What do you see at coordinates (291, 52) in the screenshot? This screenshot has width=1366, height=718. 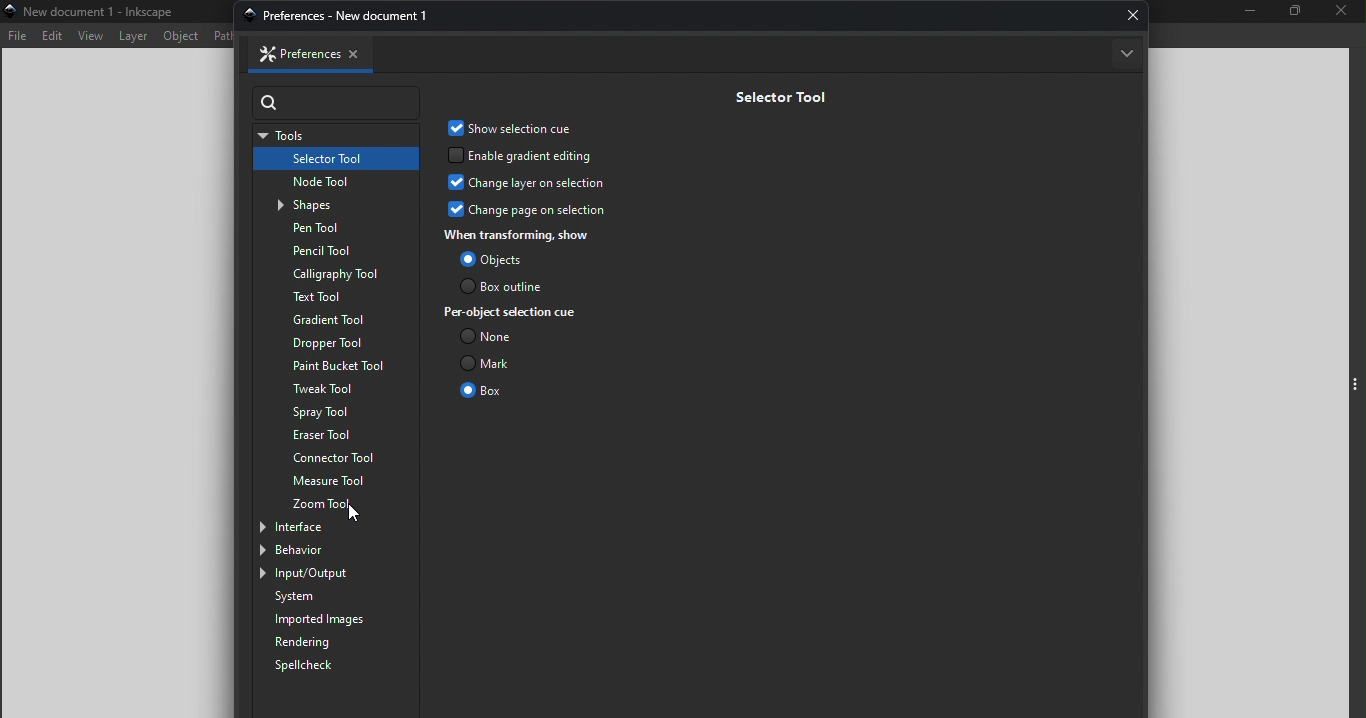 I see `Preferences` at bounding box center [291, 52].